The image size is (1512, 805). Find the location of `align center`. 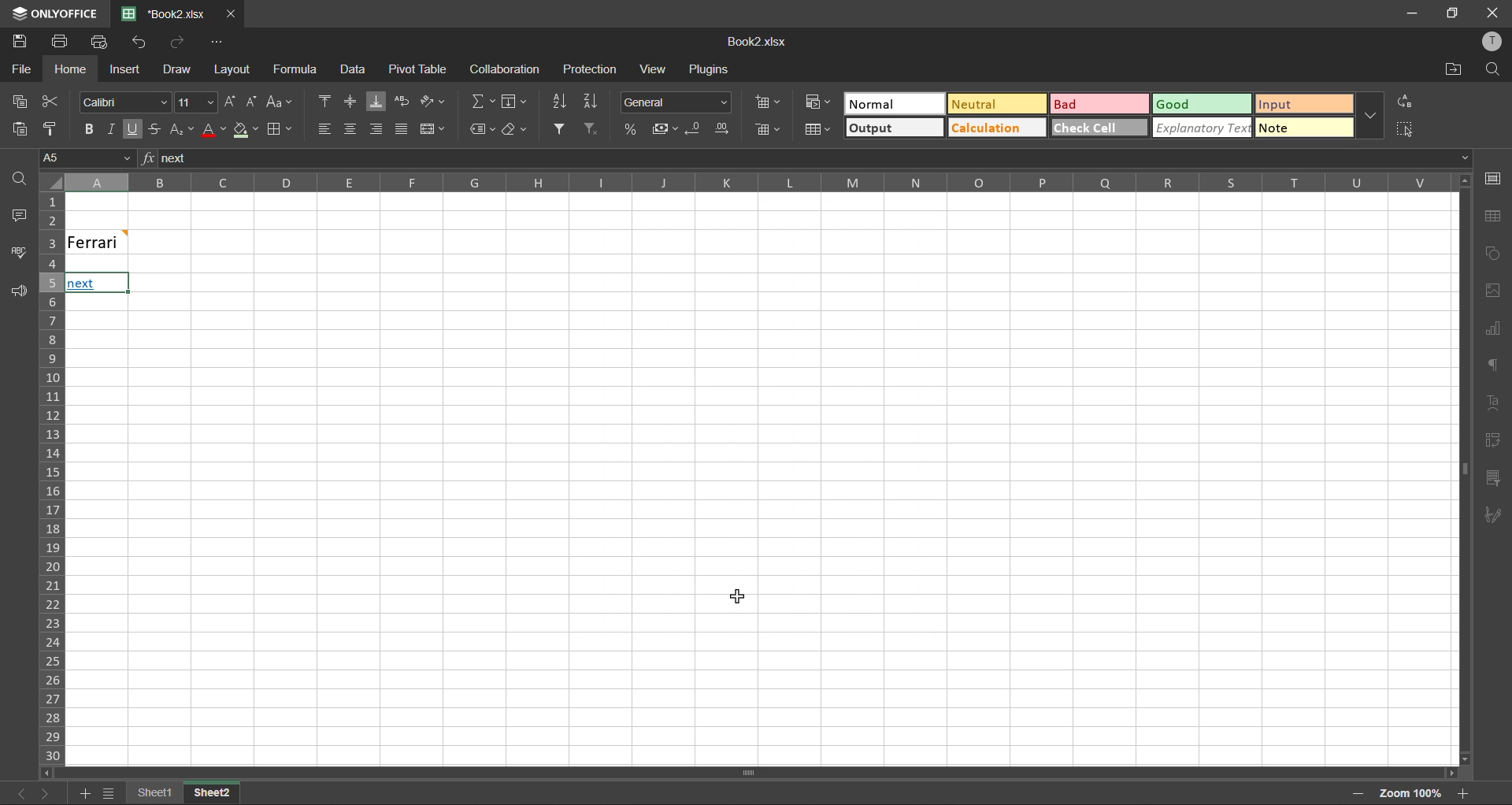

align center is located at coordinates (351, 127).